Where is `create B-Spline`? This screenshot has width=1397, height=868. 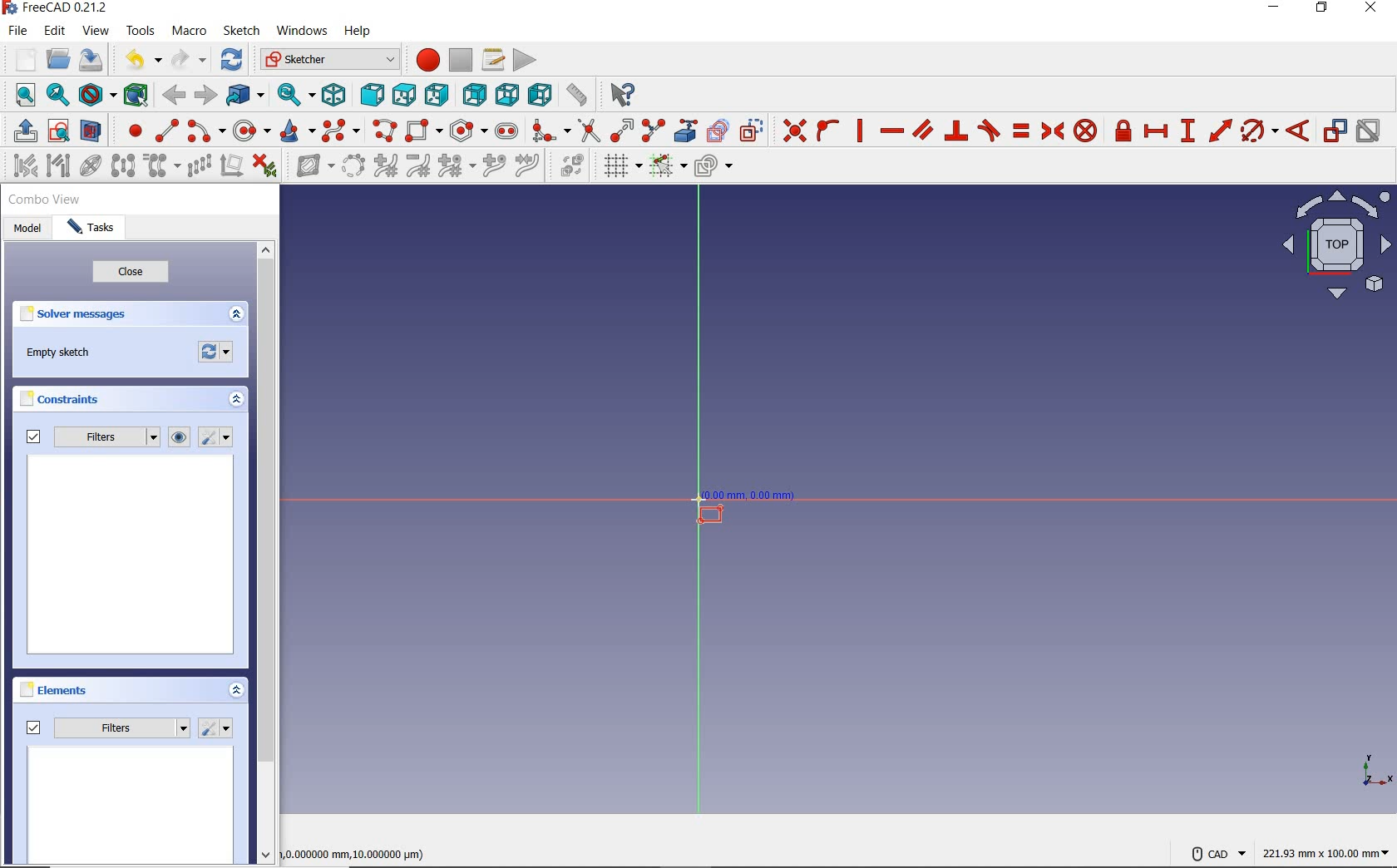 create B-Spline is located at coordinates (343, 131).